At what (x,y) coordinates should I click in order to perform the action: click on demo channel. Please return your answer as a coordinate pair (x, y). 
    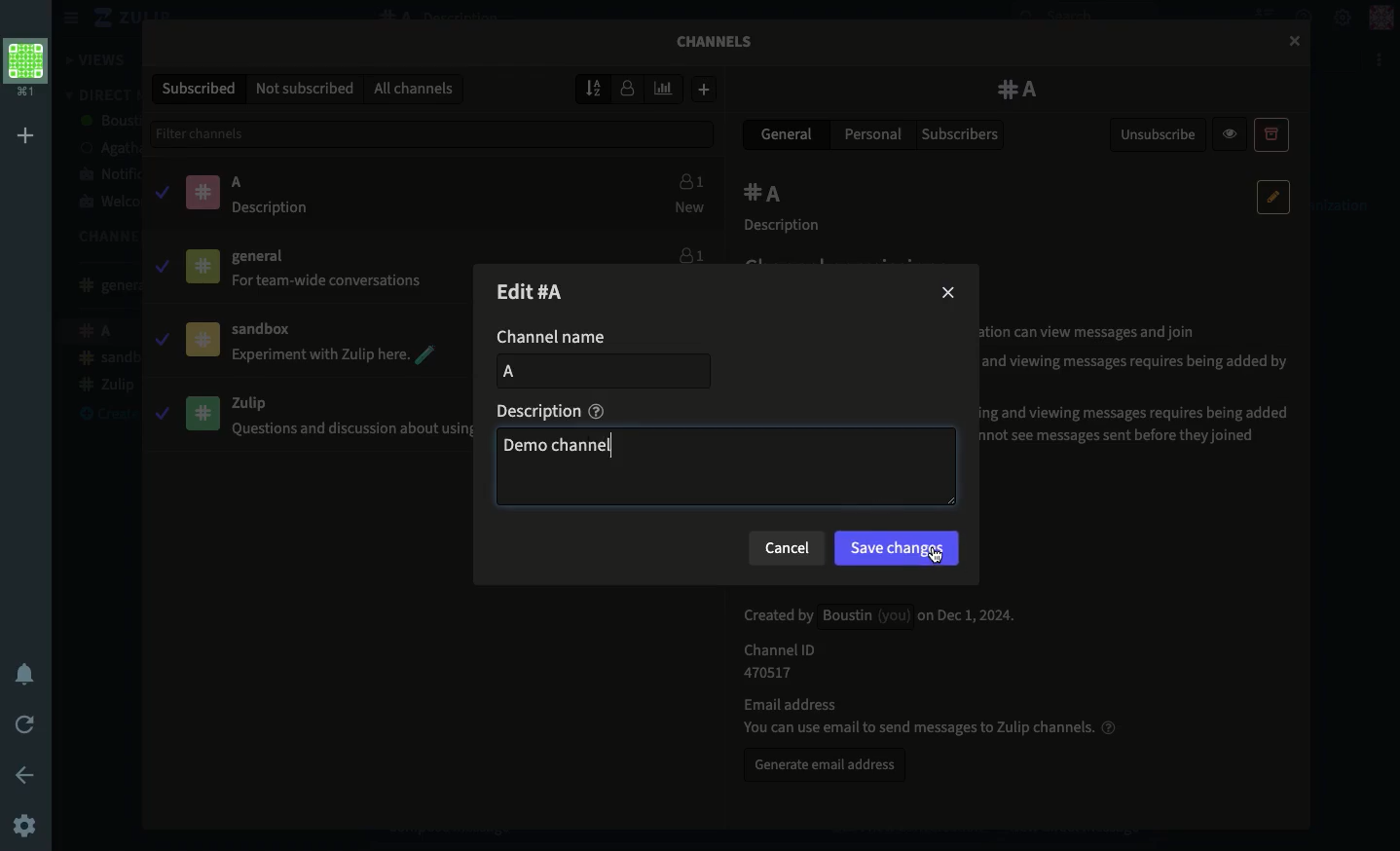
    Looking at the image, I should click on (728, 467).